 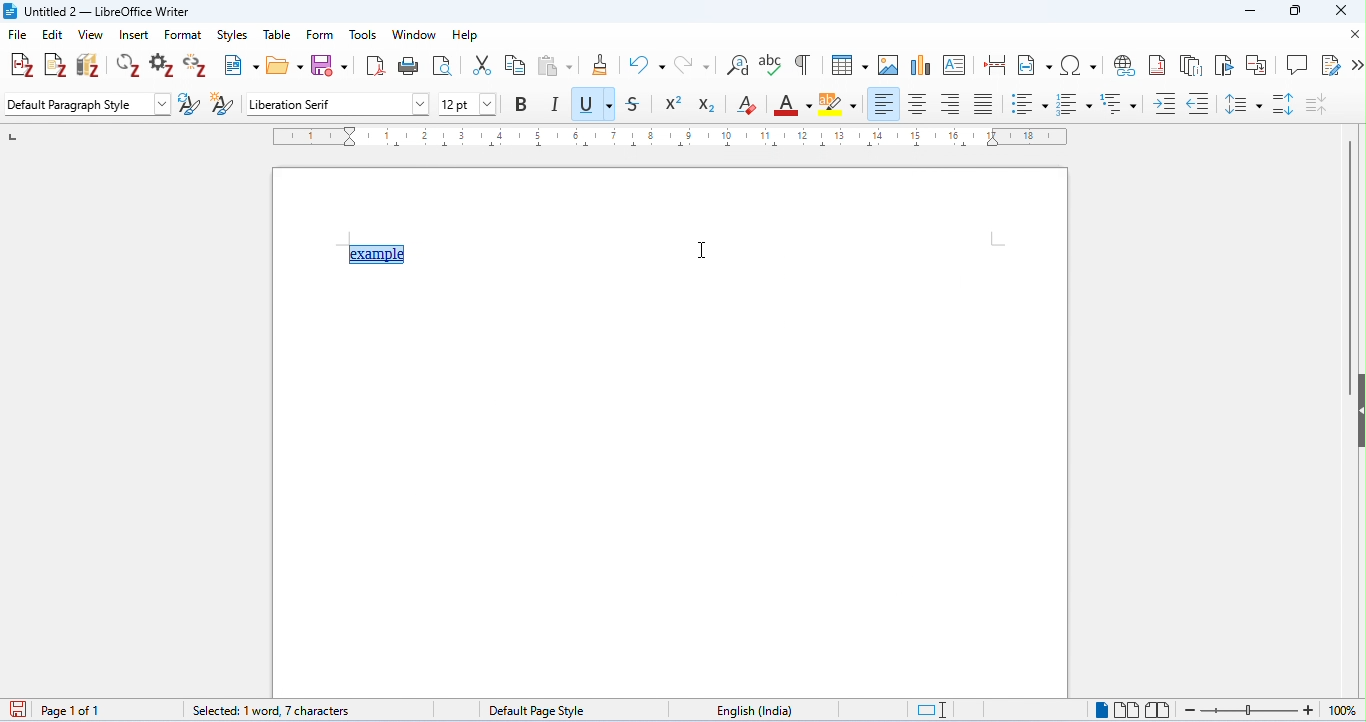 What do you see at coordinates (364, 34) in the screenshot?
I see `tools` at bounding box center [364, 34].